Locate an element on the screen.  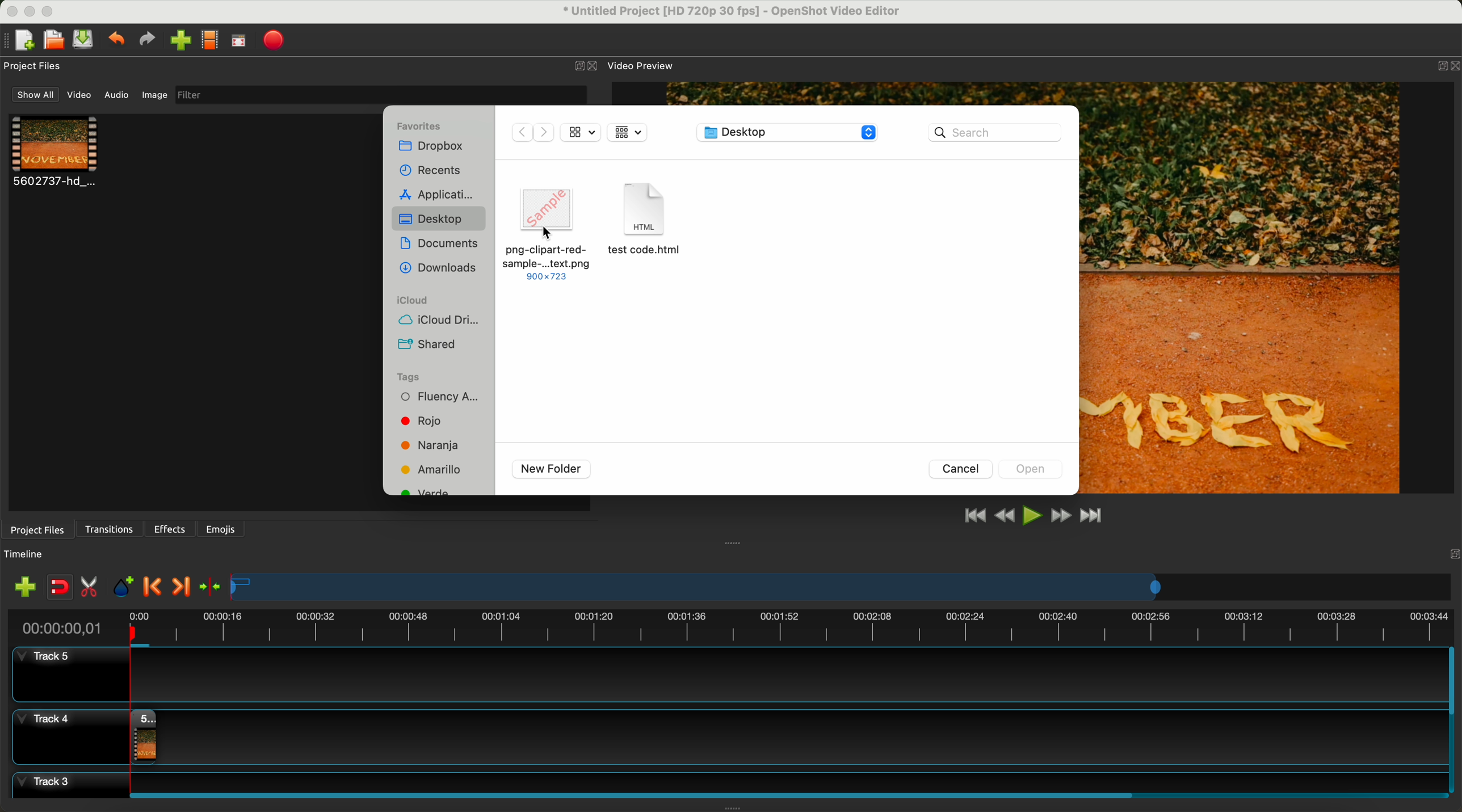
close program is located at coordinates (9, 10).